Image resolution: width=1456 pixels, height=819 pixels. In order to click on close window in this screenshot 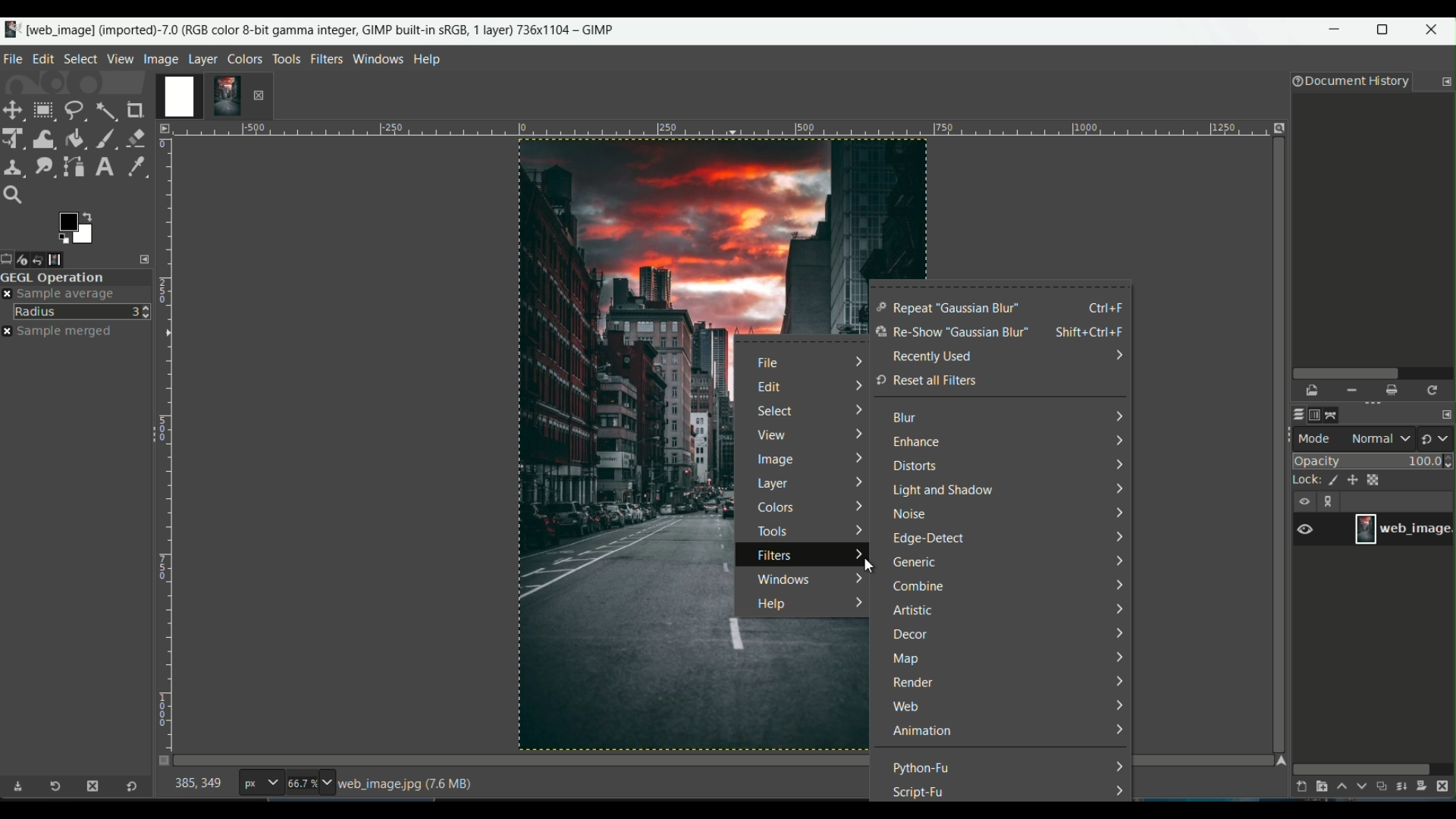, I will do `click(1435, 32)`.